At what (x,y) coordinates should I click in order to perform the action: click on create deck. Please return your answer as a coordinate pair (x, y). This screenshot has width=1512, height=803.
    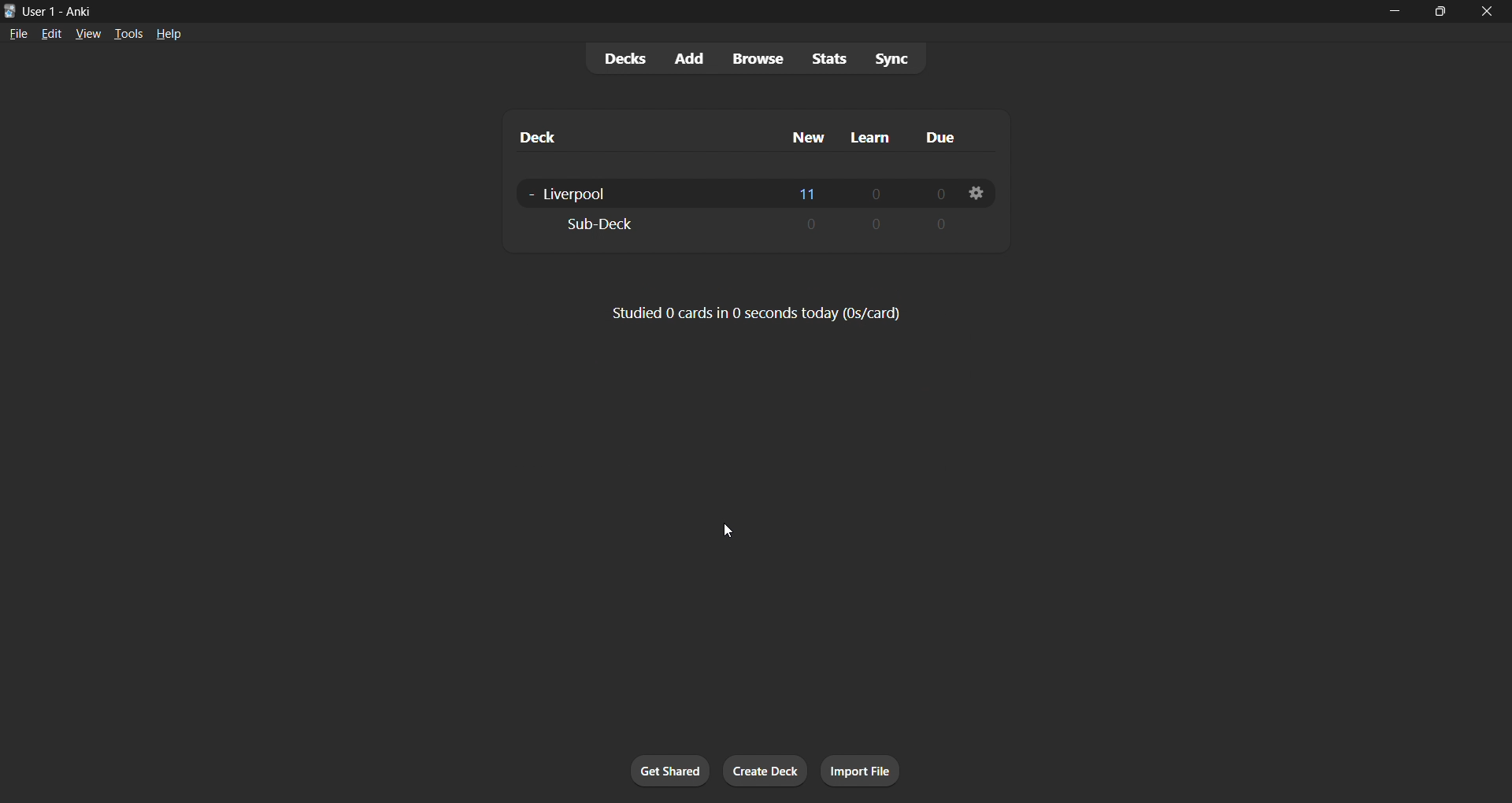
    Looking at the image, I should click on (769, 772).